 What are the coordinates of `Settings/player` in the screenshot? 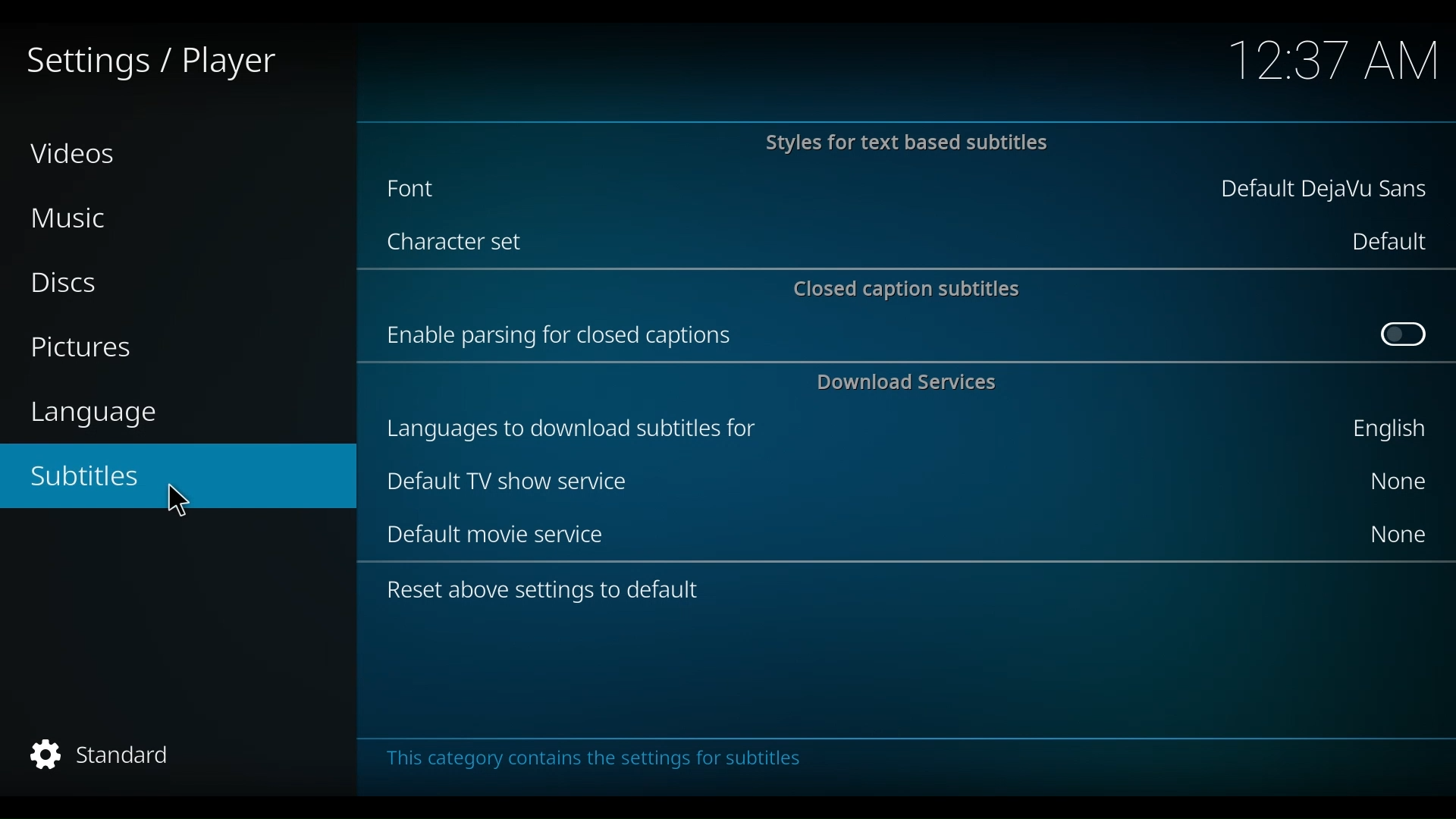 It's located at (149, 63).